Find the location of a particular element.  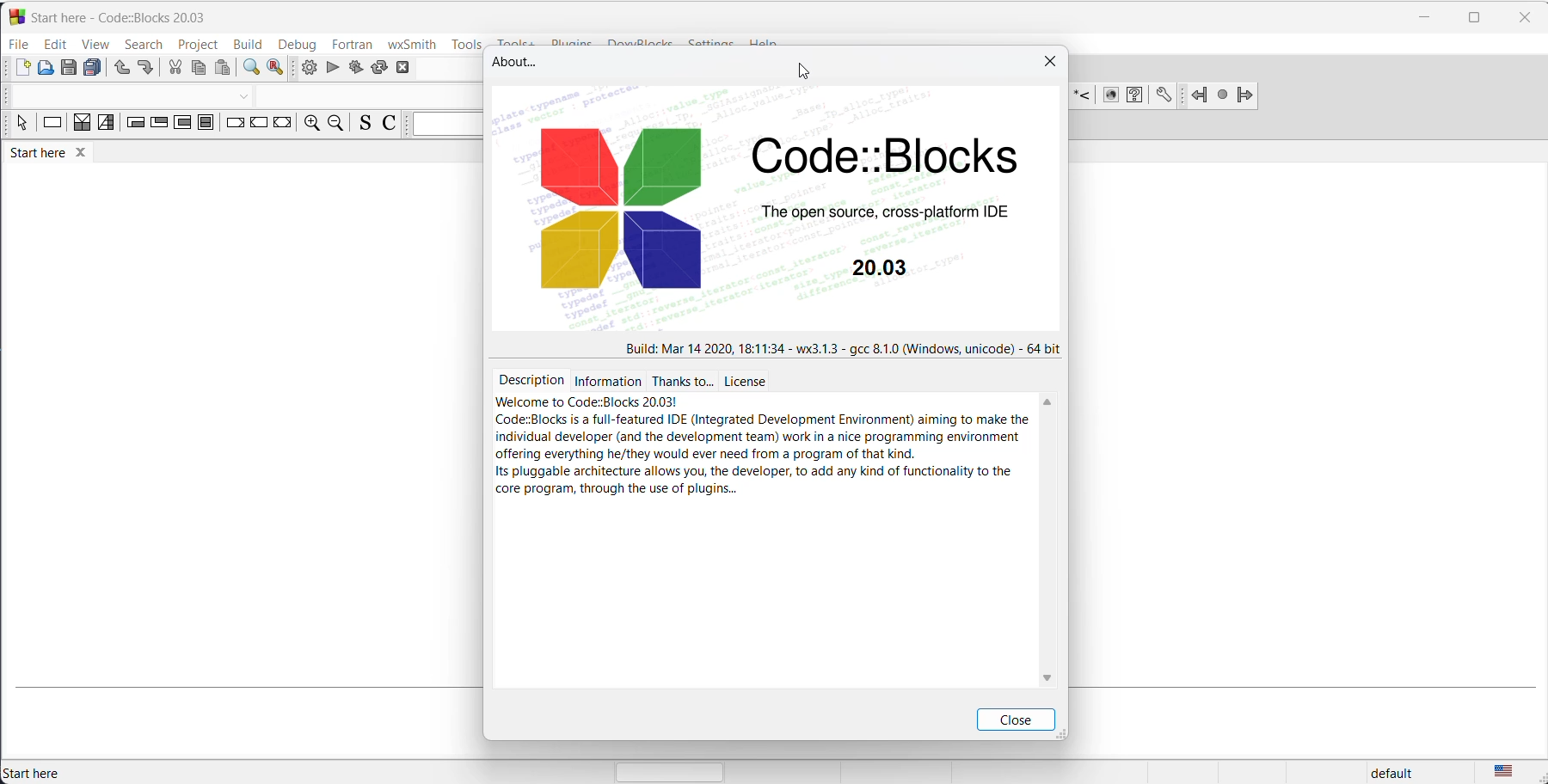

continue instruction is located at coordinates (259, 125).